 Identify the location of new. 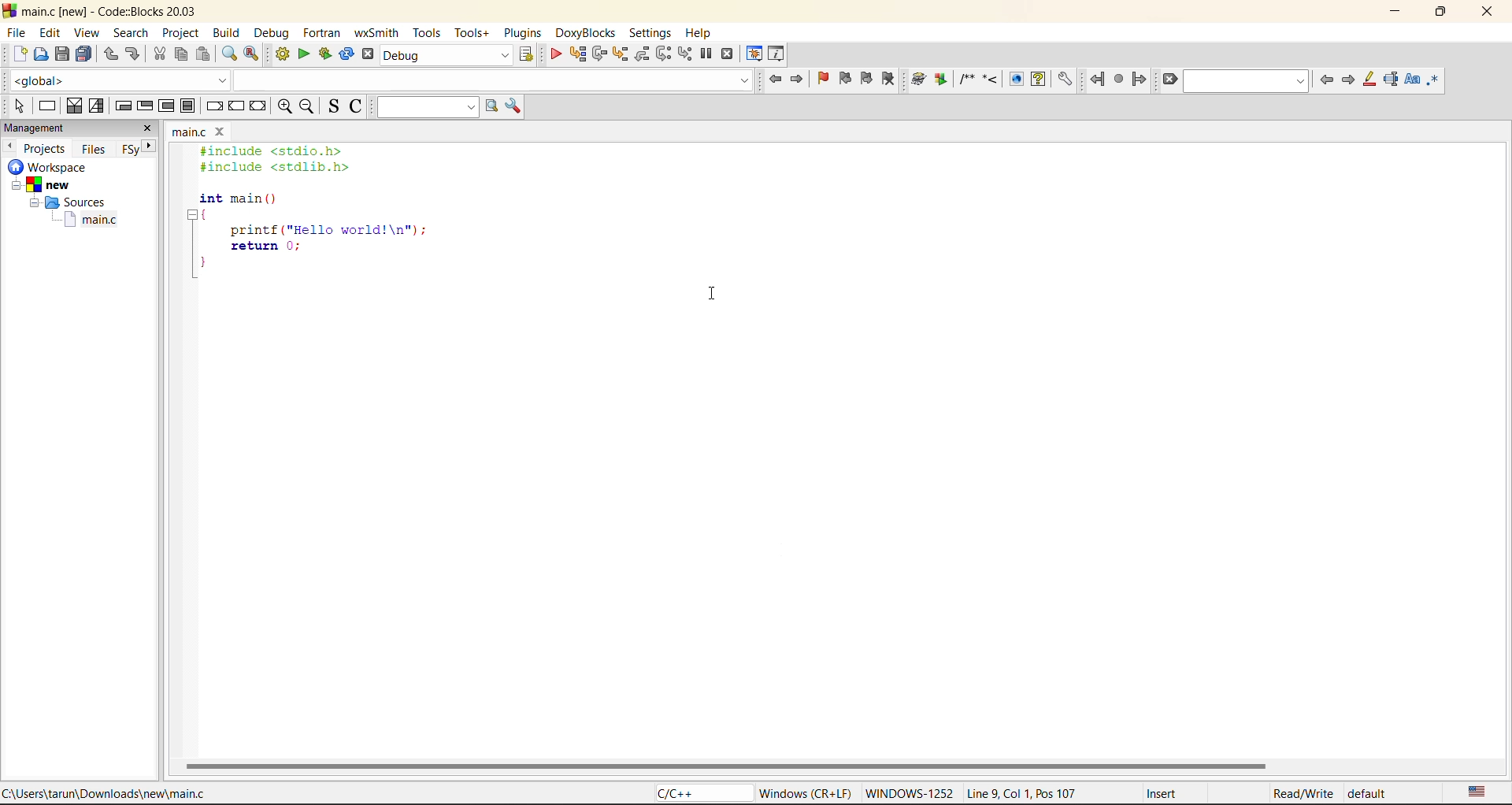
(19, 54).